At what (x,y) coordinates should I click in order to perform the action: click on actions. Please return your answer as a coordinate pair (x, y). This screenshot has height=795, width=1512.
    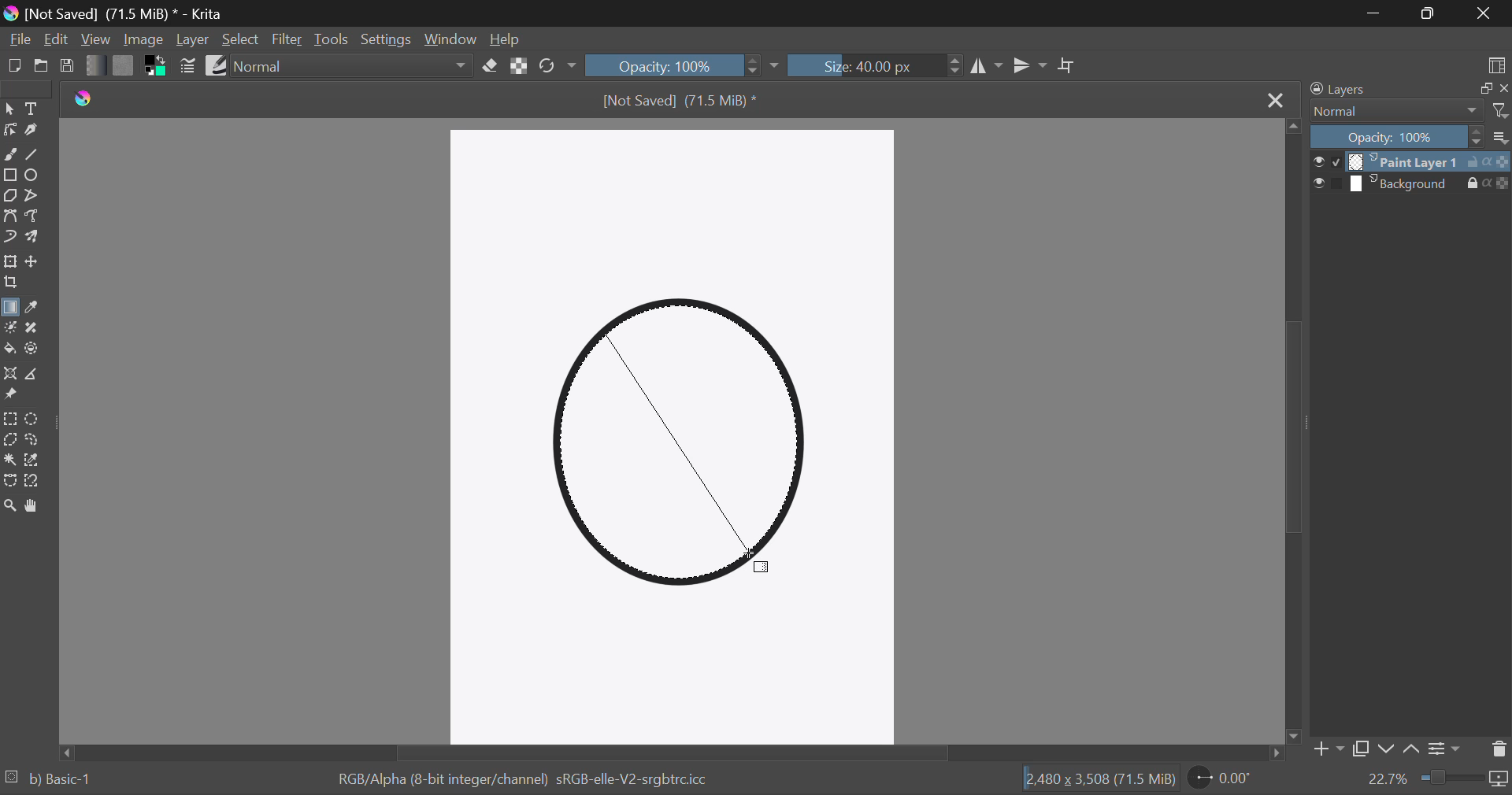
    Looking at the image, I should click on (1488, 162).